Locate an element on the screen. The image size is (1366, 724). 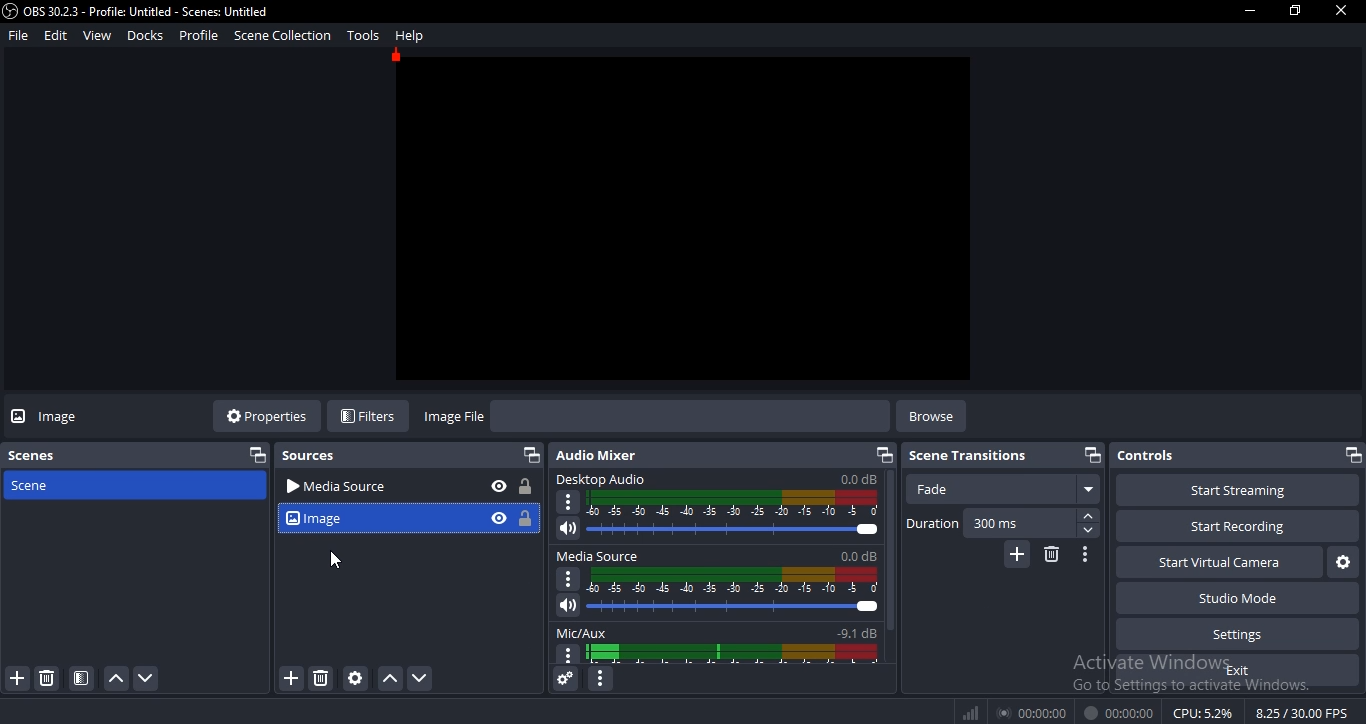
scene is located at coordinates (33, 455).